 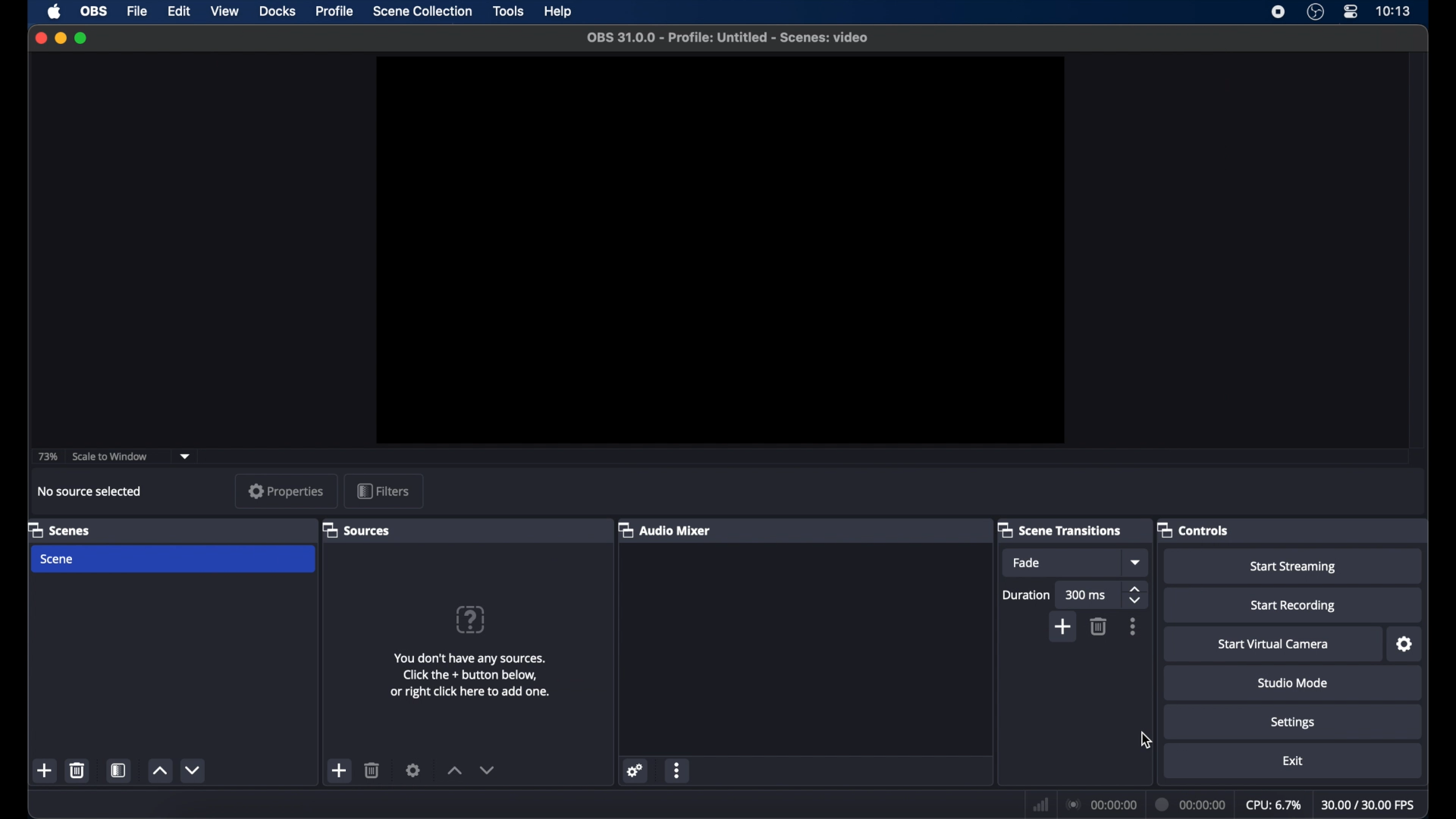 What do you see at coordinates (90, 491) in the screenshot?
I see `no source selected` at bounding box center [90, 491].